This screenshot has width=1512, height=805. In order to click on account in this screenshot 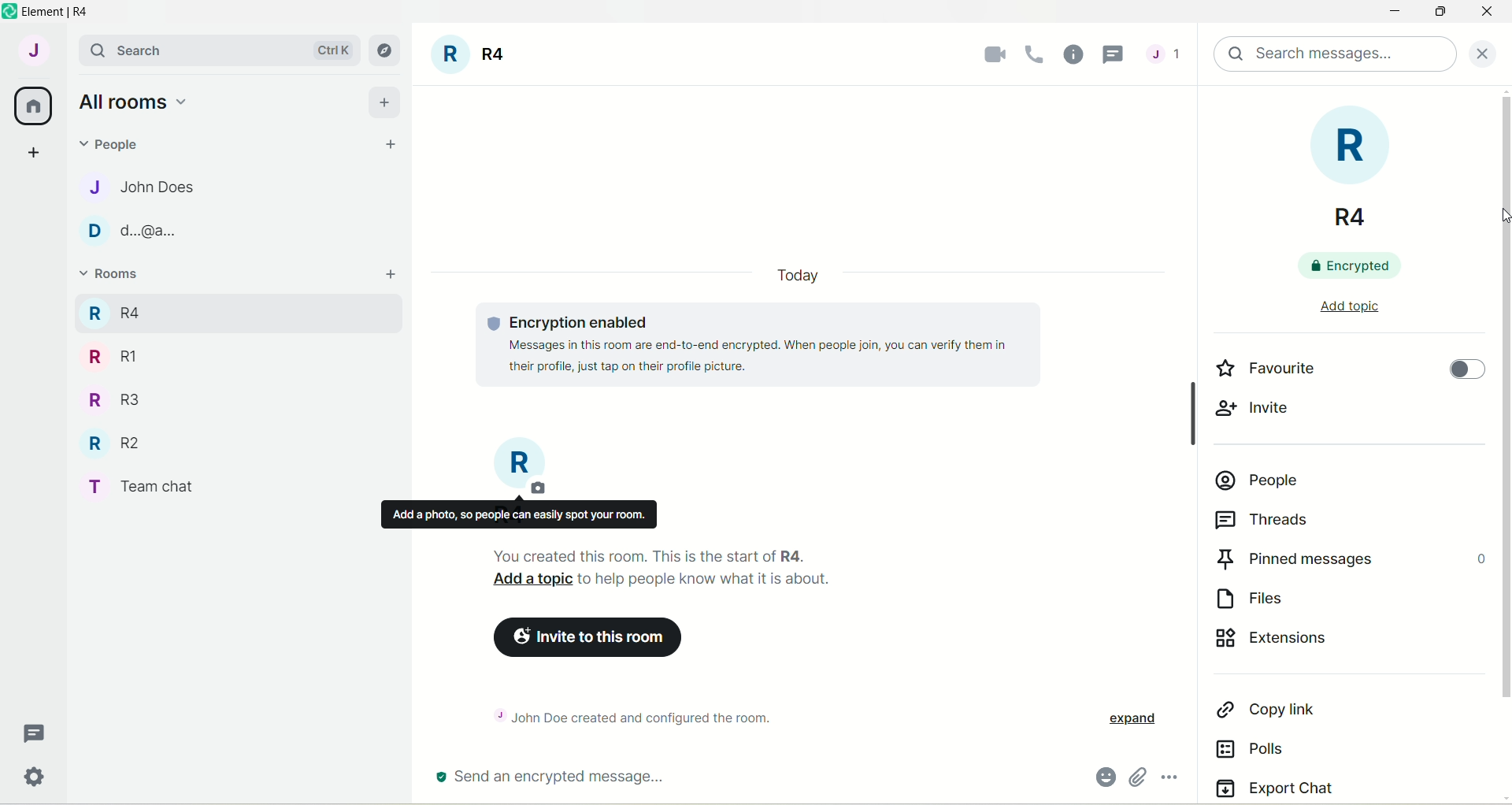, I will do `click(32, 50)`.